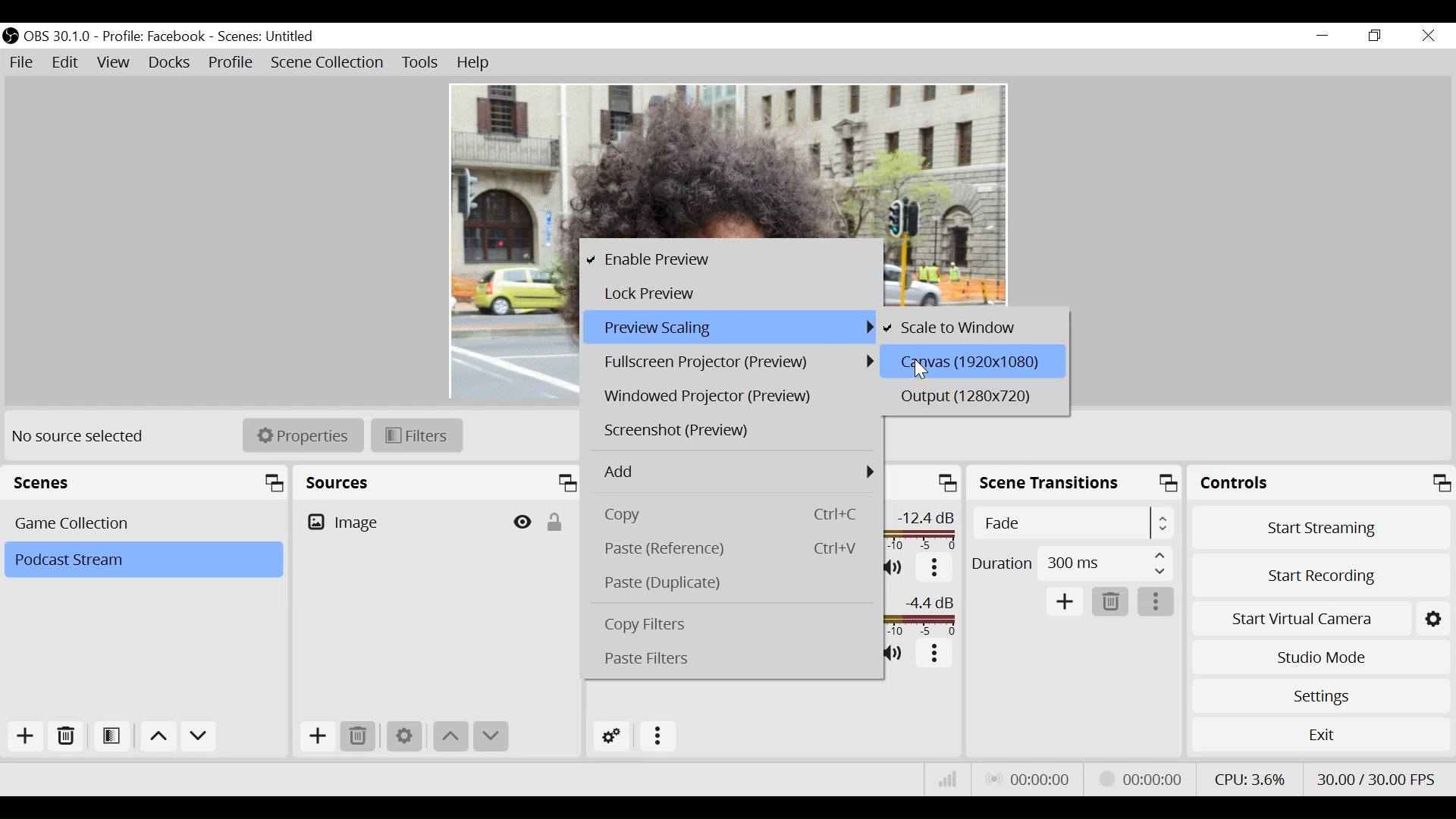  I want to click on Add, so click(318, 737).